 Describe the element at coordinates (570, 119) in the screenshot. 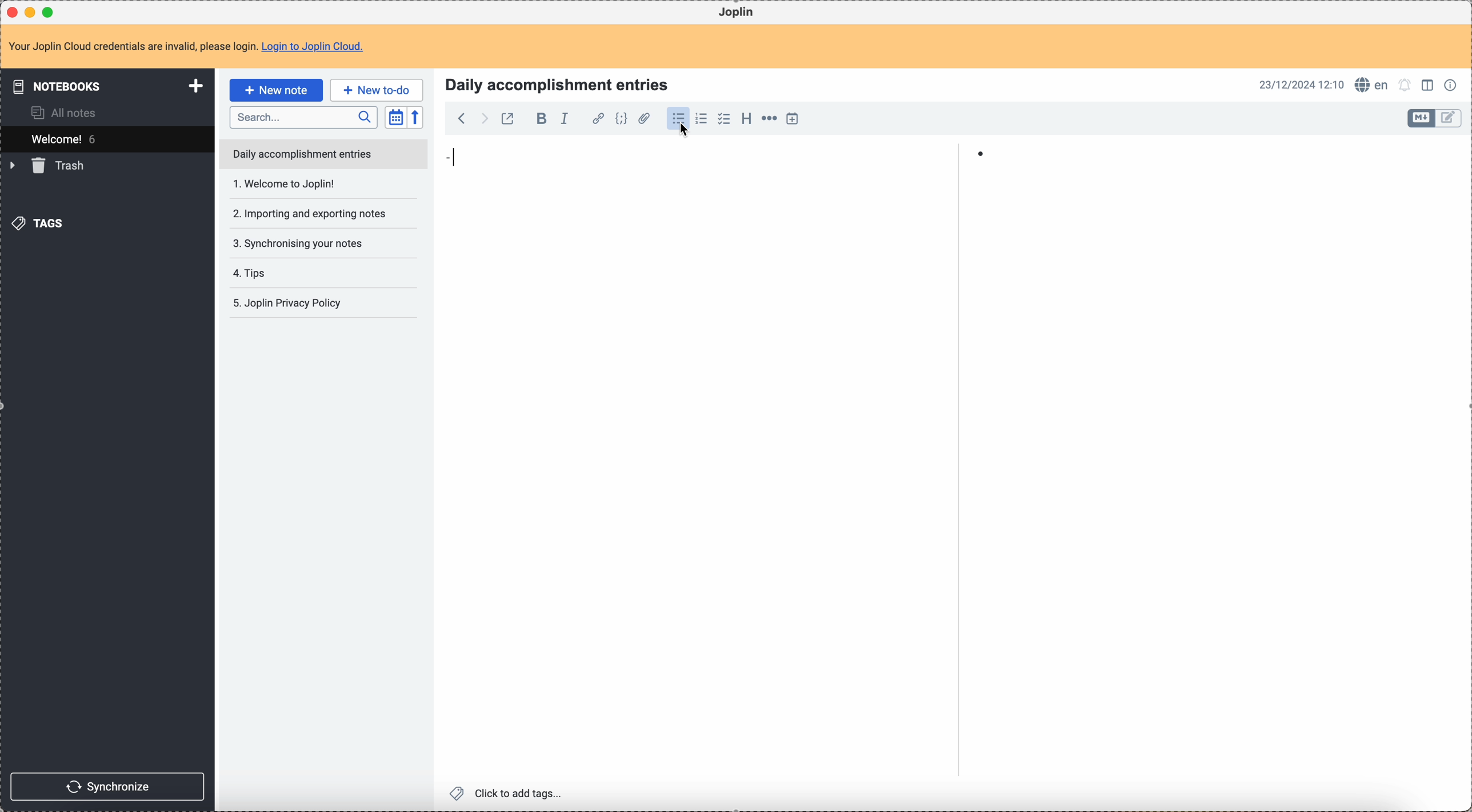

I see `italic` at that location.